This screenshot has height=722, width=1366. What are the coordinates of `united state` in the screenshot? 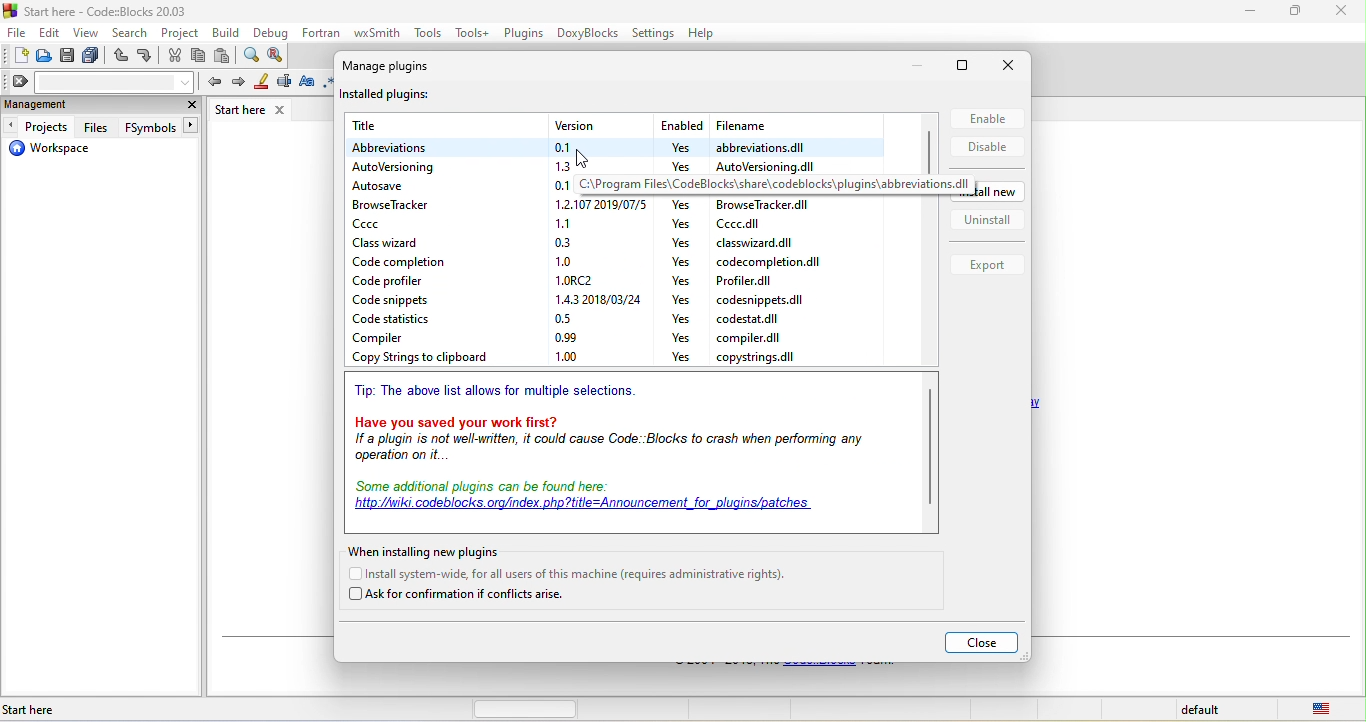 It's located at (1325, 710).